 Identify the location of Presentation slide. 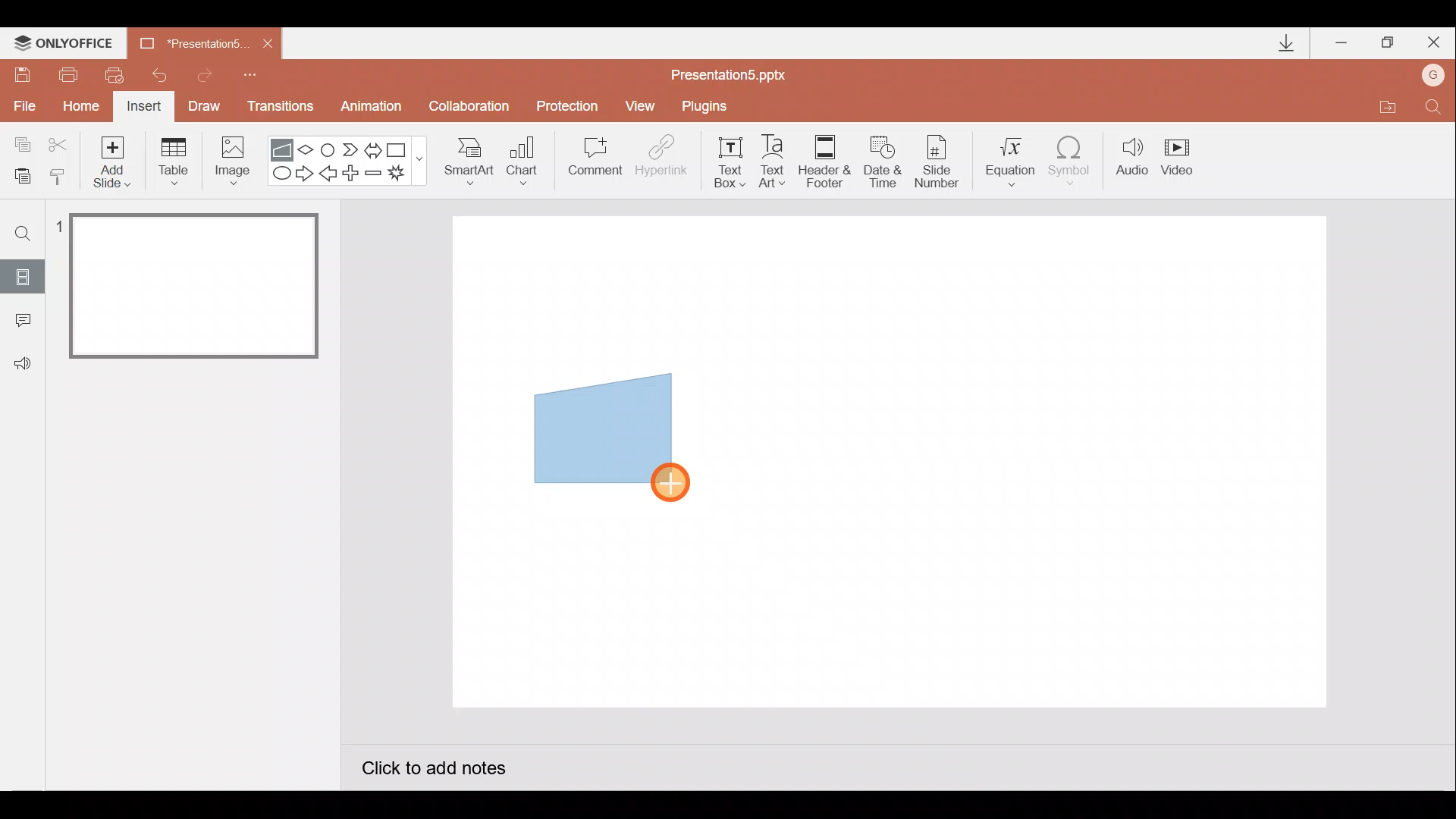
(1037, 461).